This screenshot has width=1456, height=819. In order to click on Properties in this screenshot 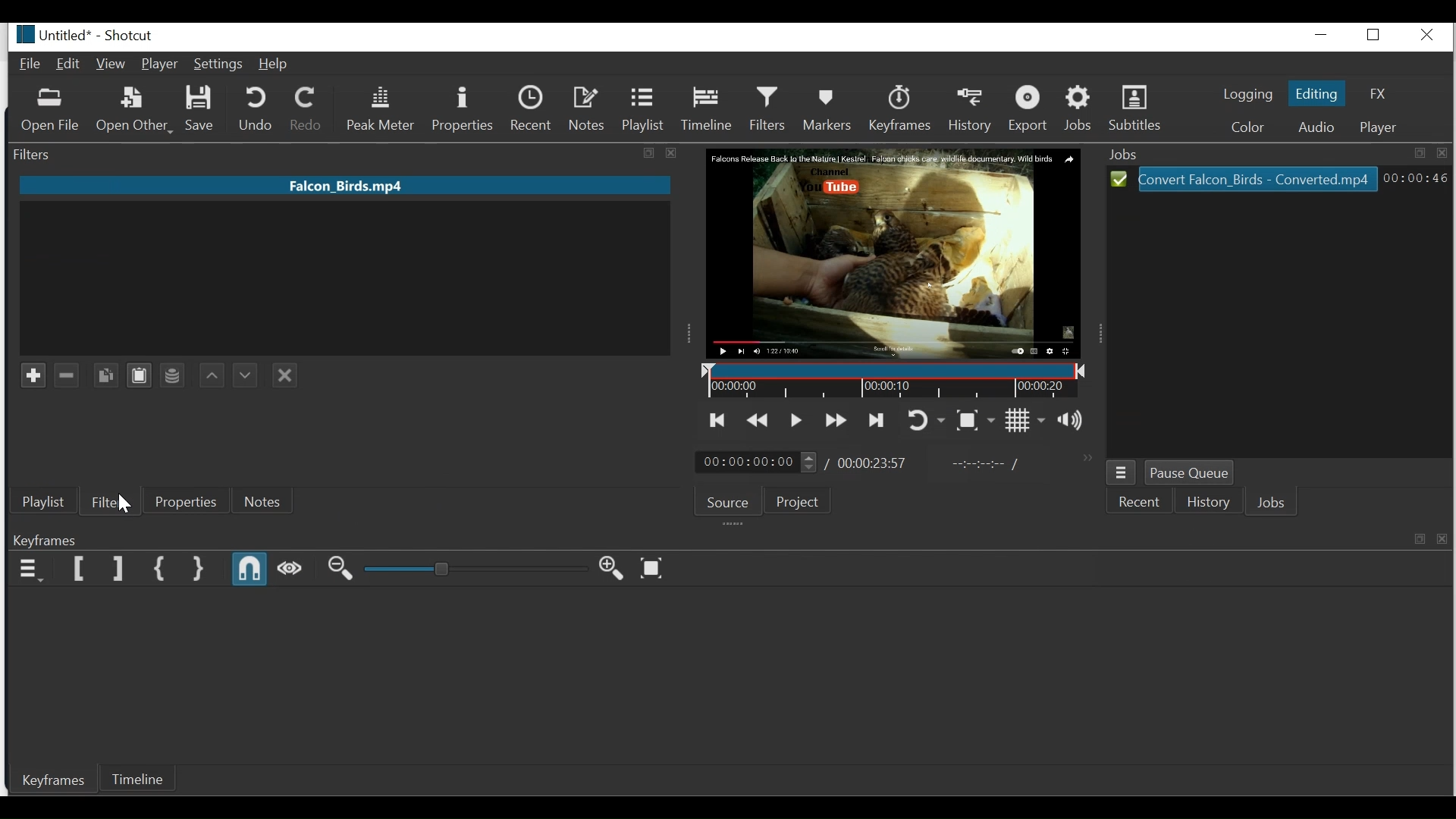, I will do `click(184, 503)`.